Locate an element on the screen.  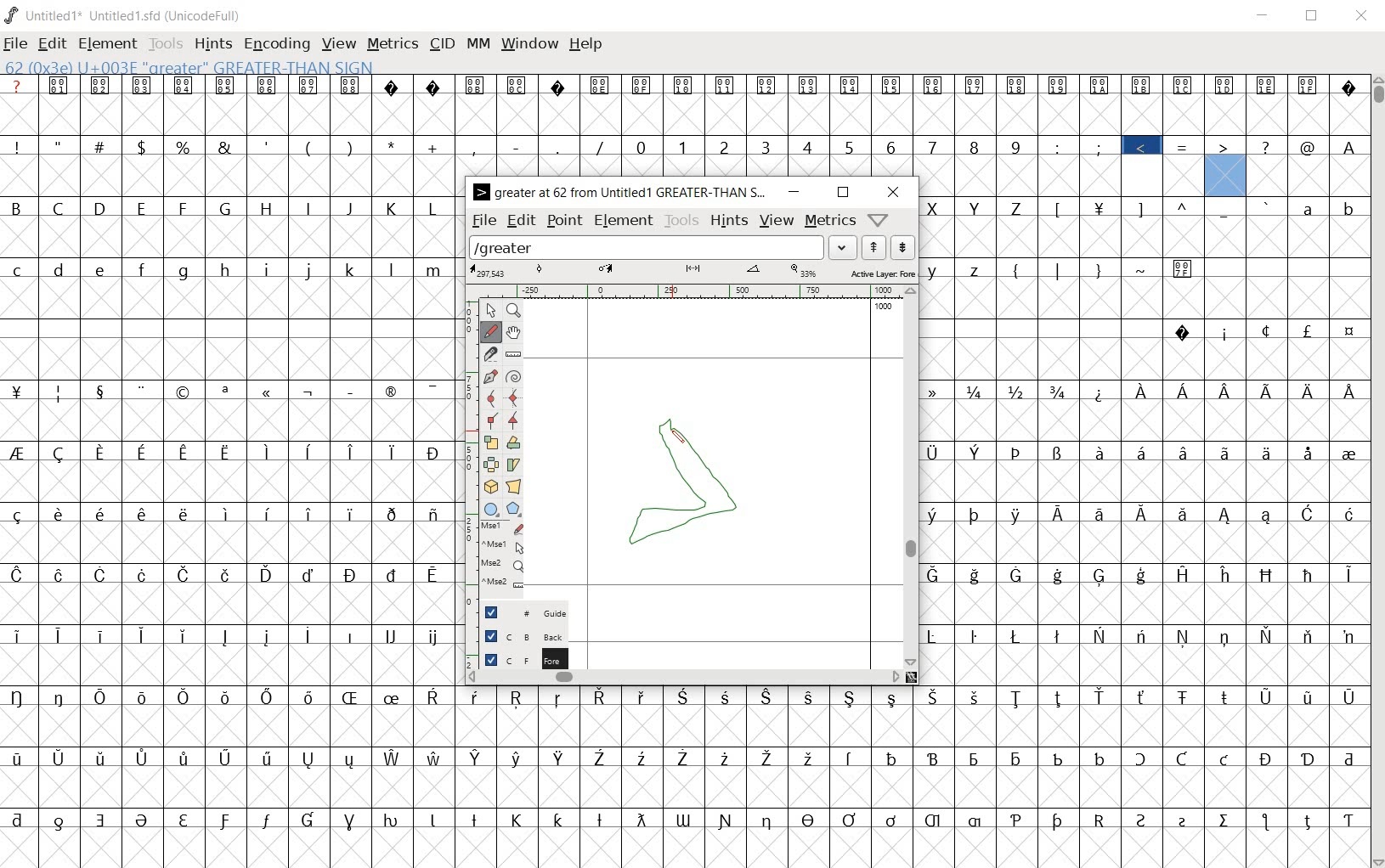
glyph characters is located at coordinates (817, 125).